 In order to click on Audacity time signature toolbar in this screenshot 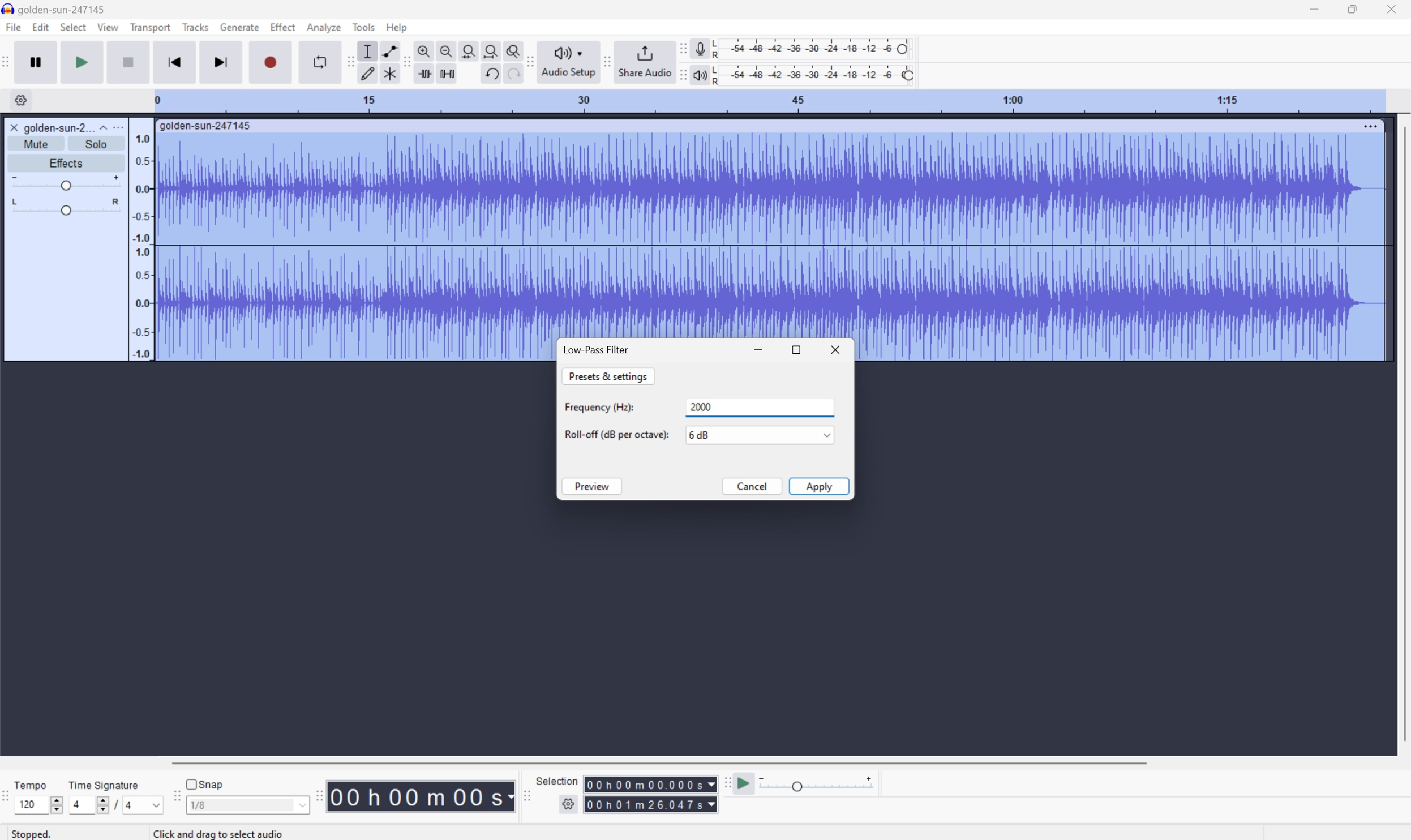, I will do `click(9, 802)`.